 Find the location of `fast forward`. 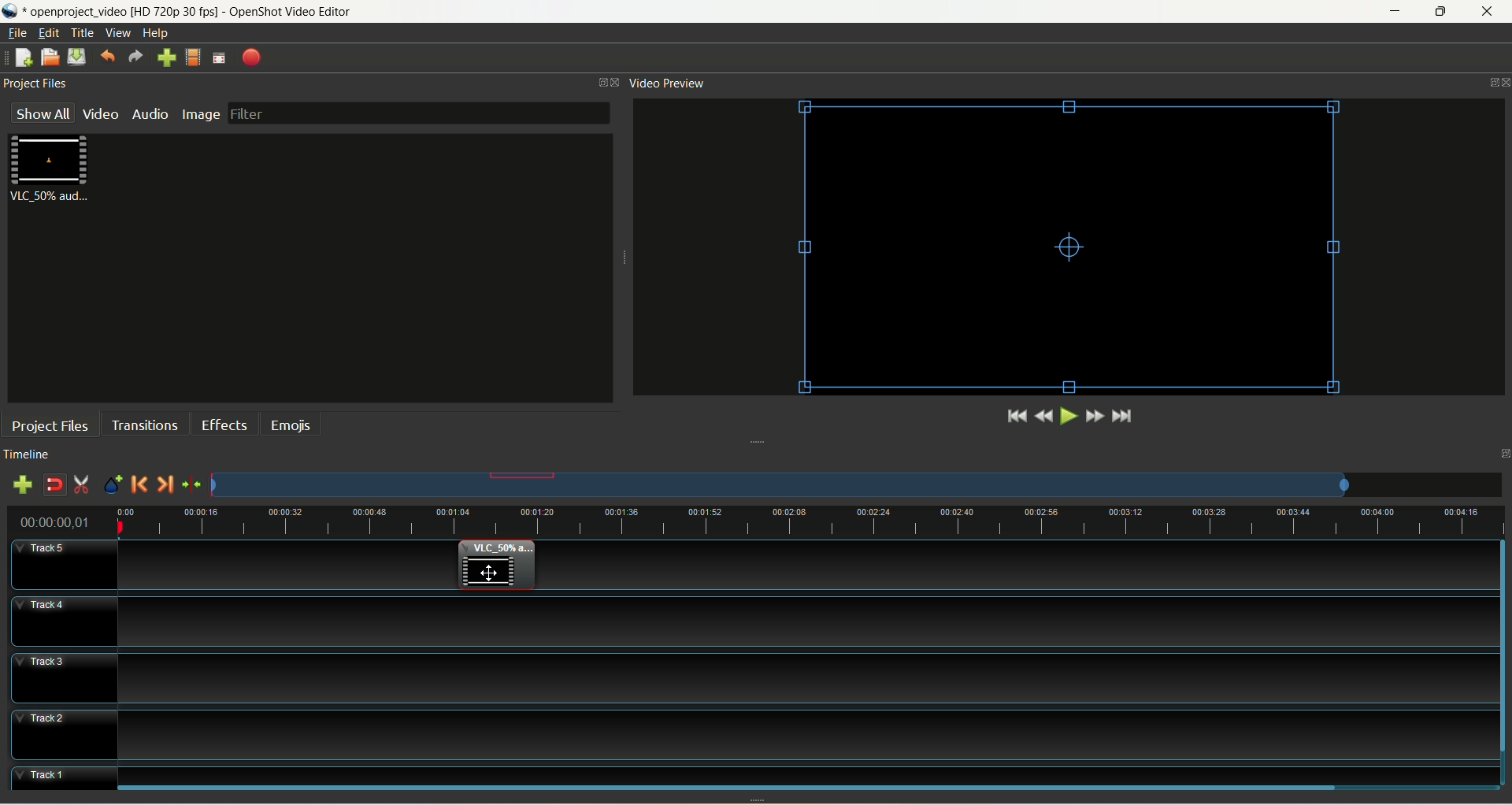

fast forward is located at coordinates (1095, 415).